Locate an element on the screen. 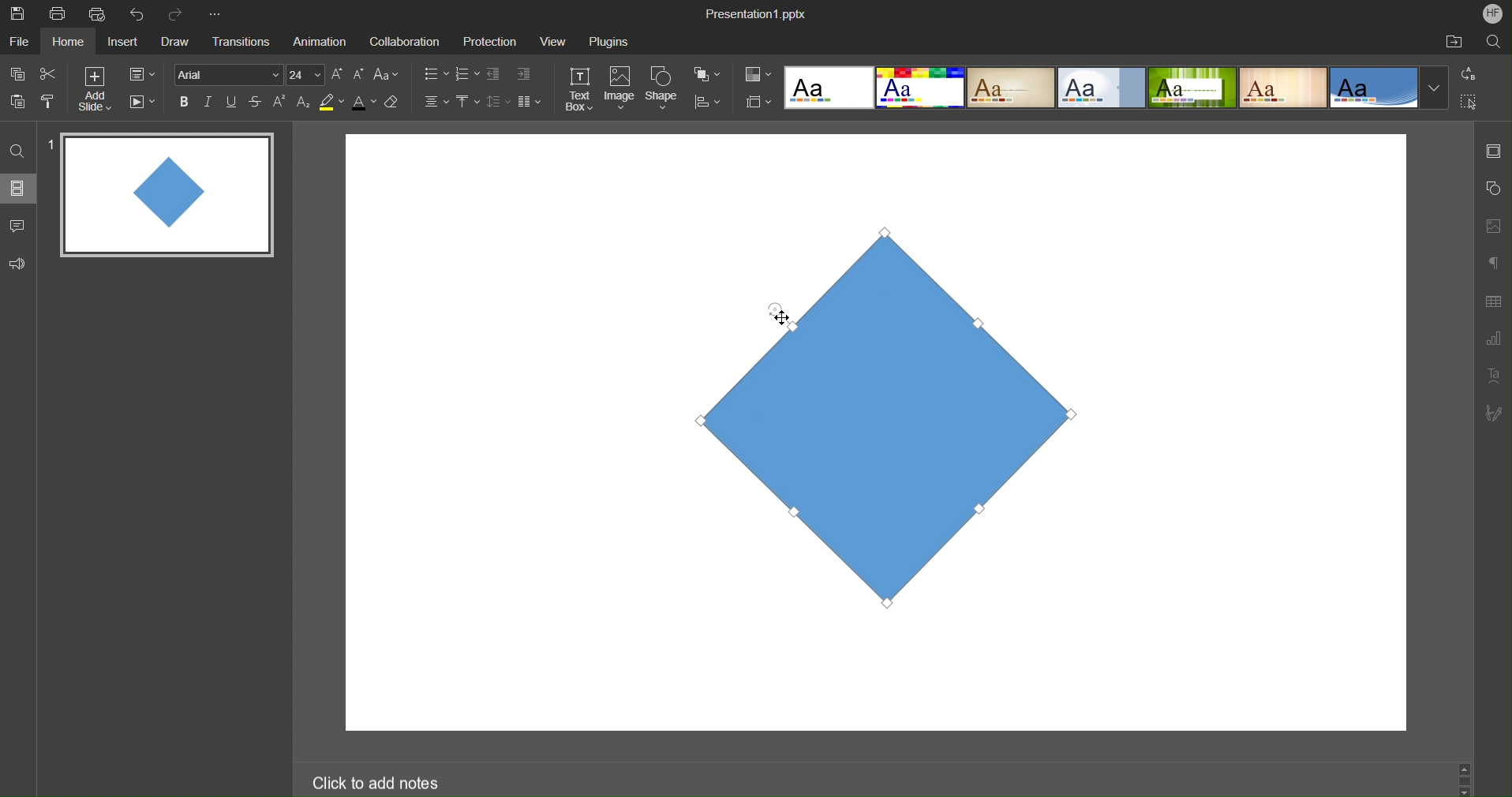 Image resolution: width=1512 pixels, height=797 pixels. Number List is located at coordinates (468, 74).